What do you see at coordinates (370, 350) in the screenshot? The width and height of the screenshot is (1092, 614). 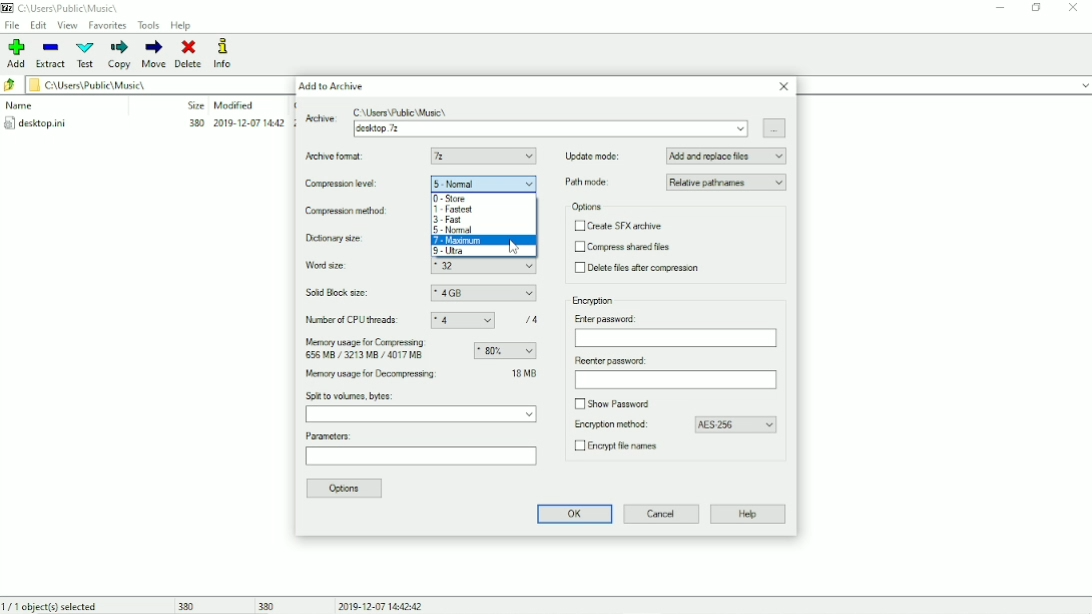 I see `Memory usage for compressing` at bounding box center [370, 350].